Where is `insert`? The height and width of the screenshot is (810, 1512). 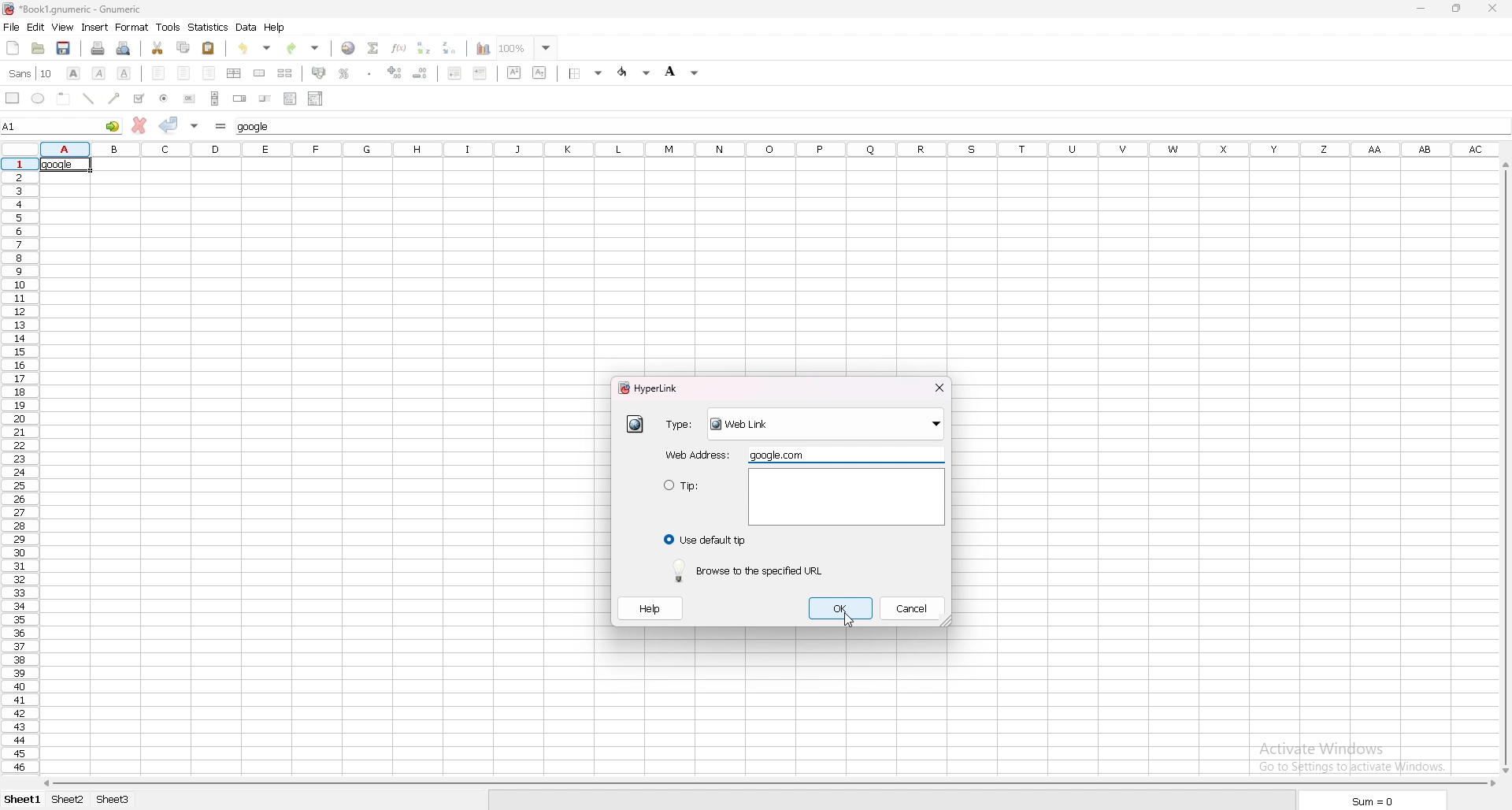 insert is located at coordinates (94, 28).